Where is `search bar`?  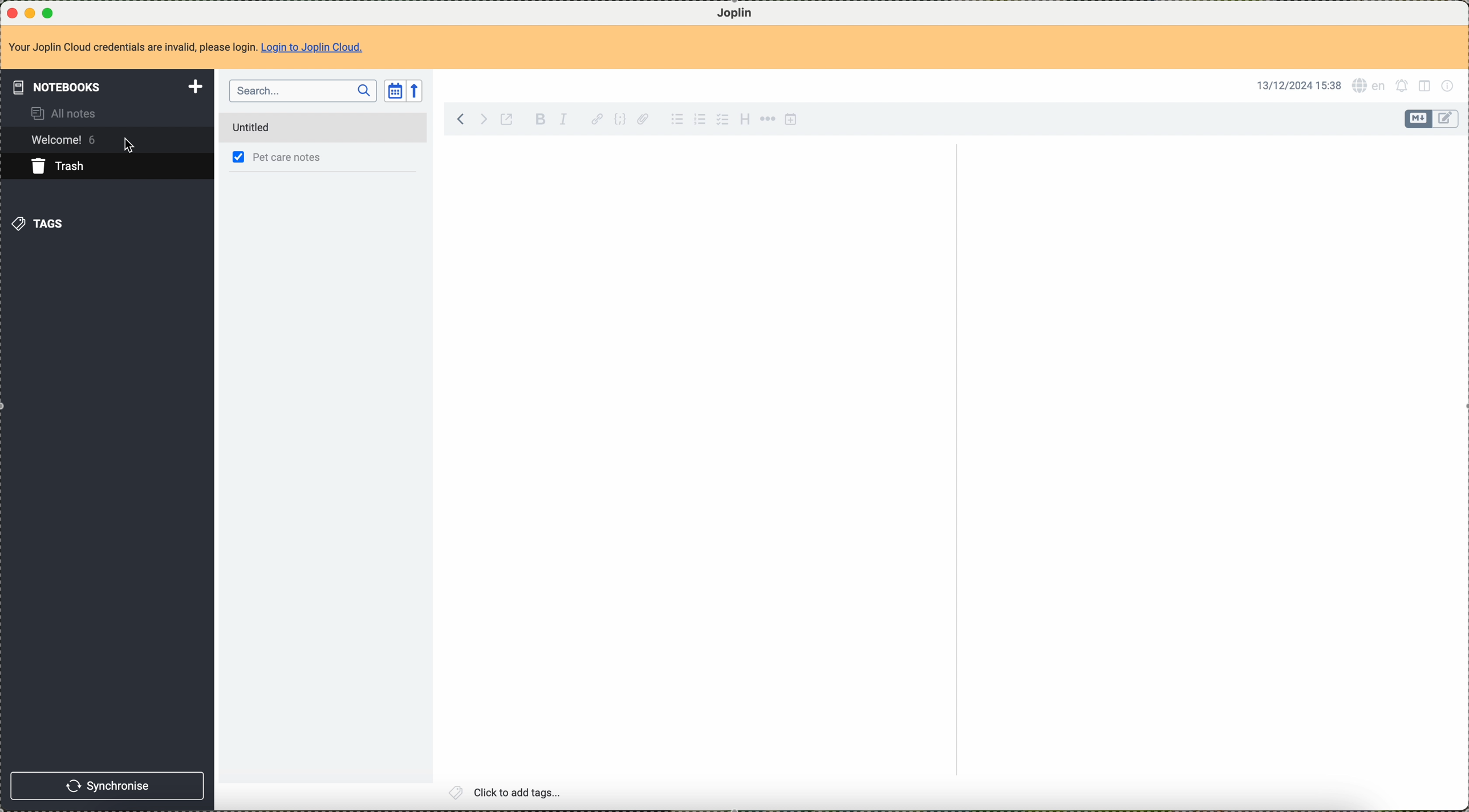
search bar is located at coordinates (298, 90).